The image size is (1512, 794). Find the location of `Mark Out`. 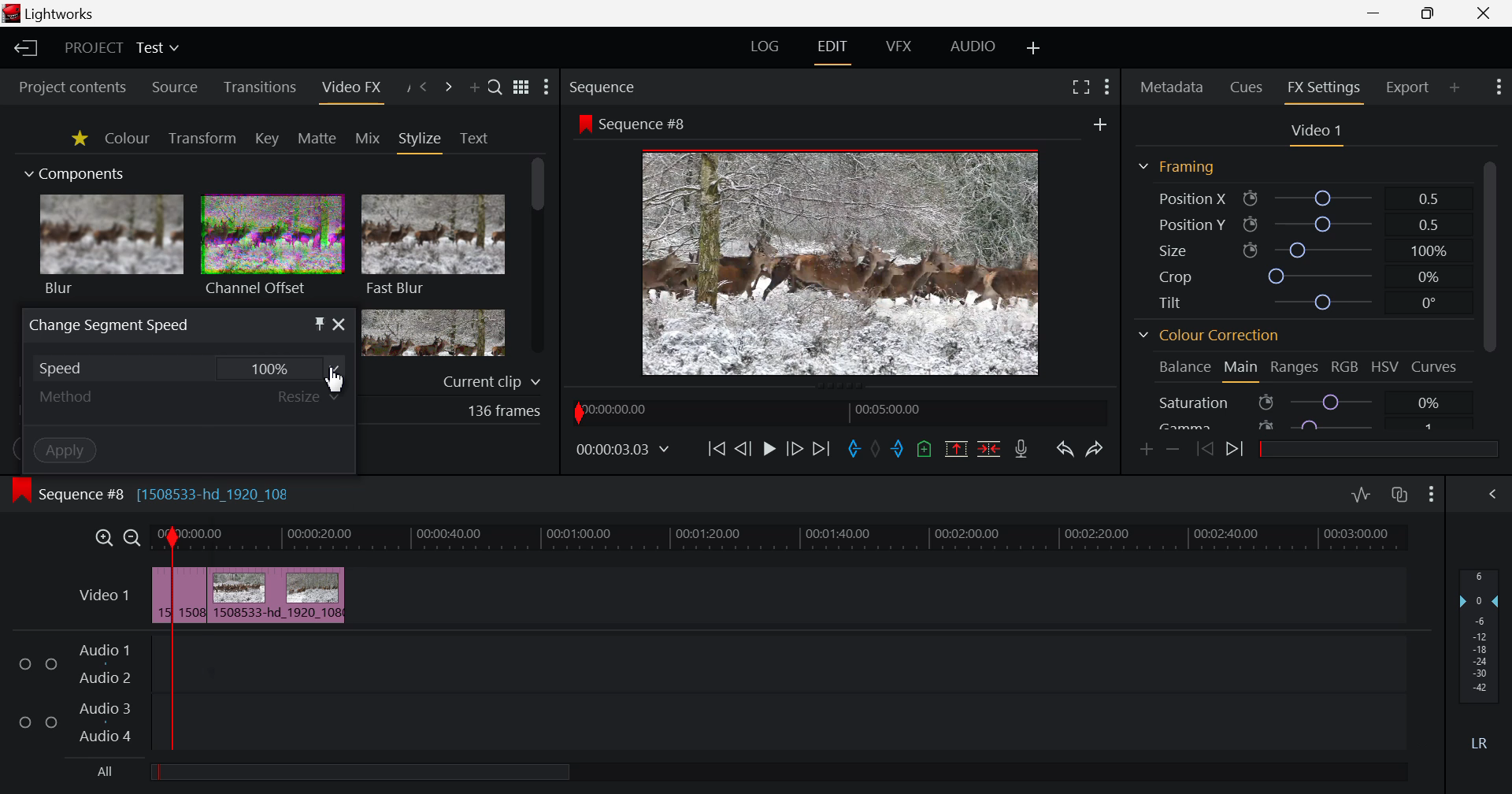

Mark Out is located at coordinates (902, 451).